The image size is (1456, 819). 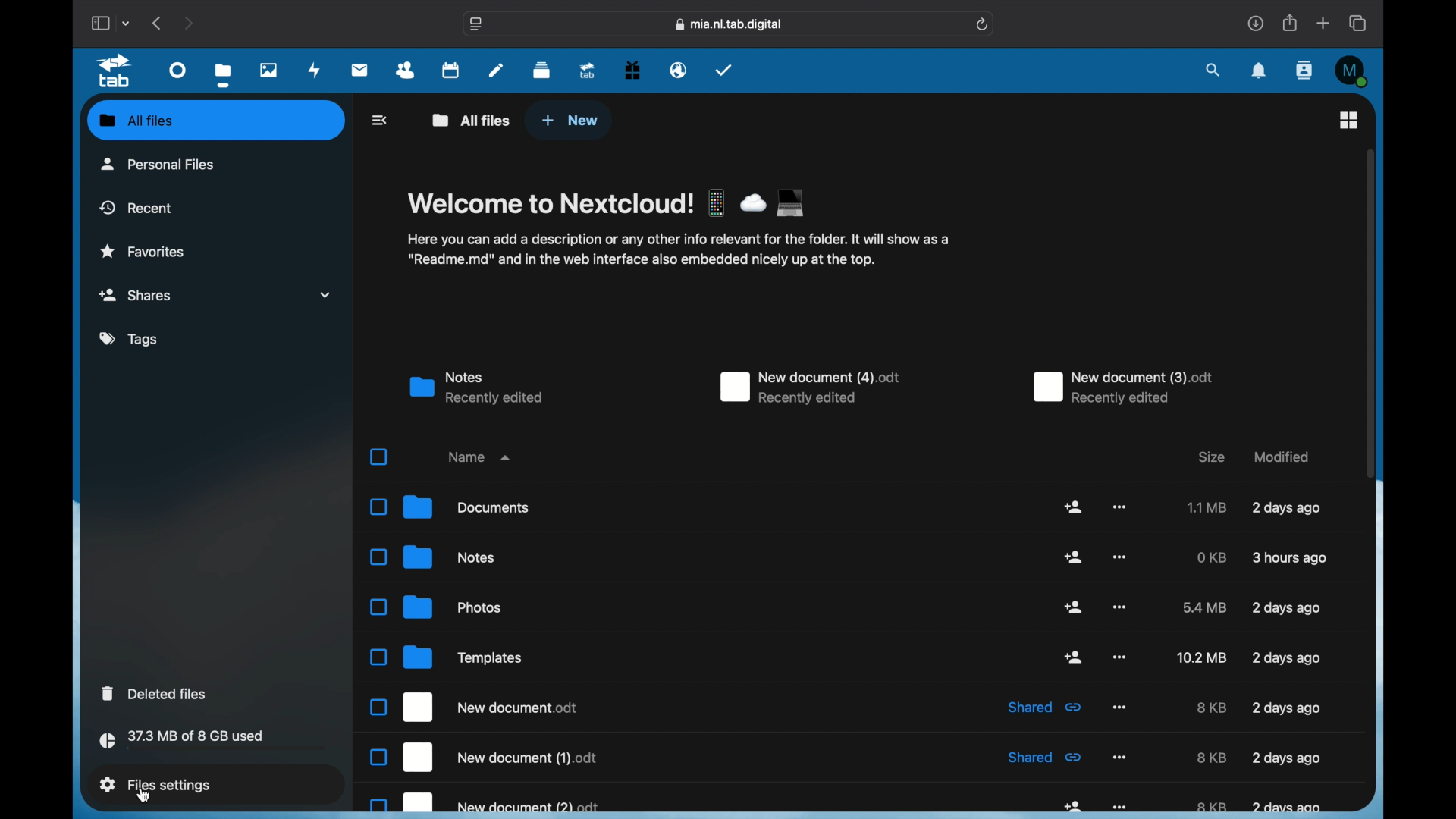 What do you see at coordinates (1287, 657) in the screenshot?
I see `modified` at bounding box center [1287, 657].